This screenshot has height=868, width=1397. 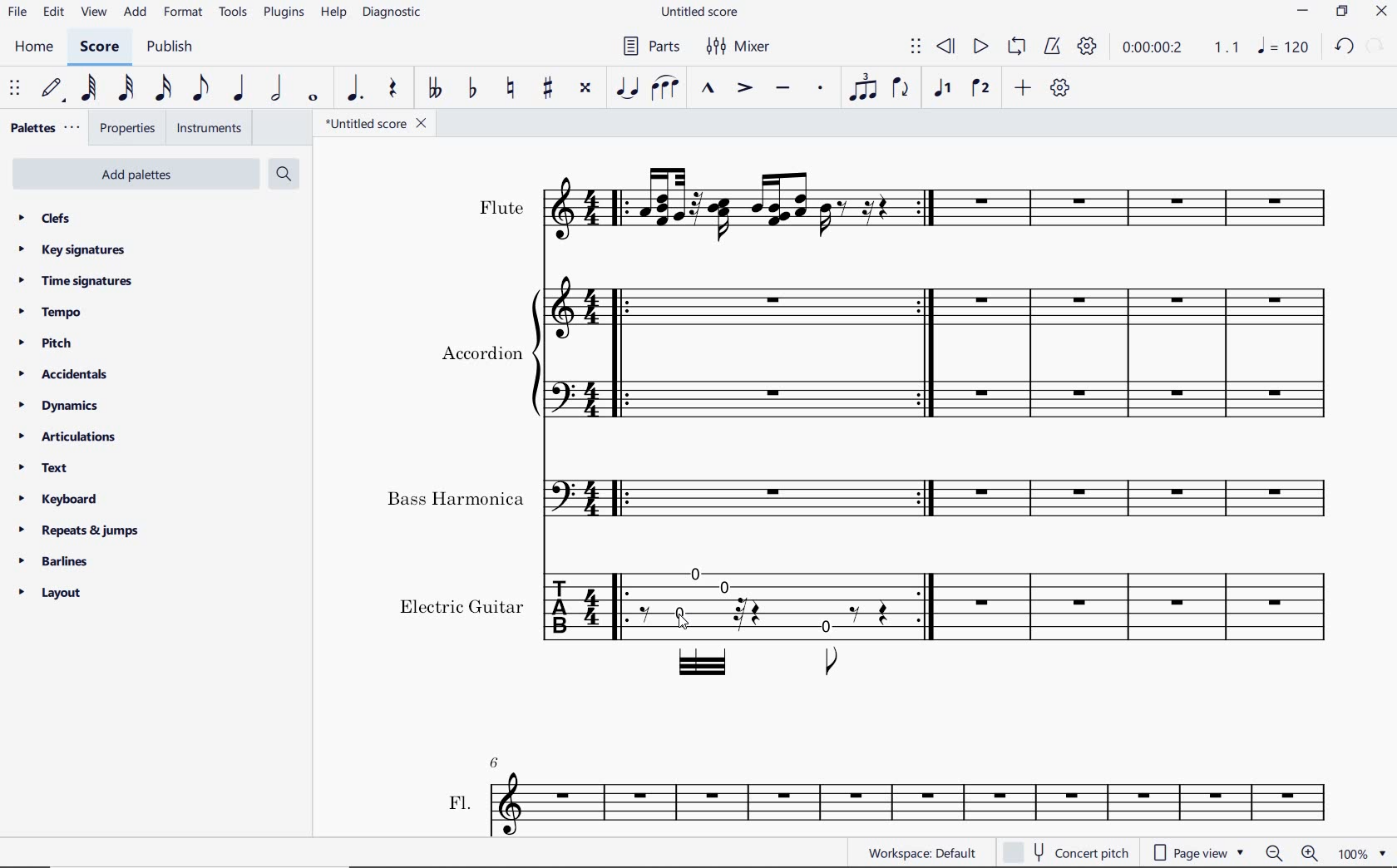 What do you see at coordinates (355, 89) in the screenshot?
I see `augmentation dot` at bounding box center [355, 89].